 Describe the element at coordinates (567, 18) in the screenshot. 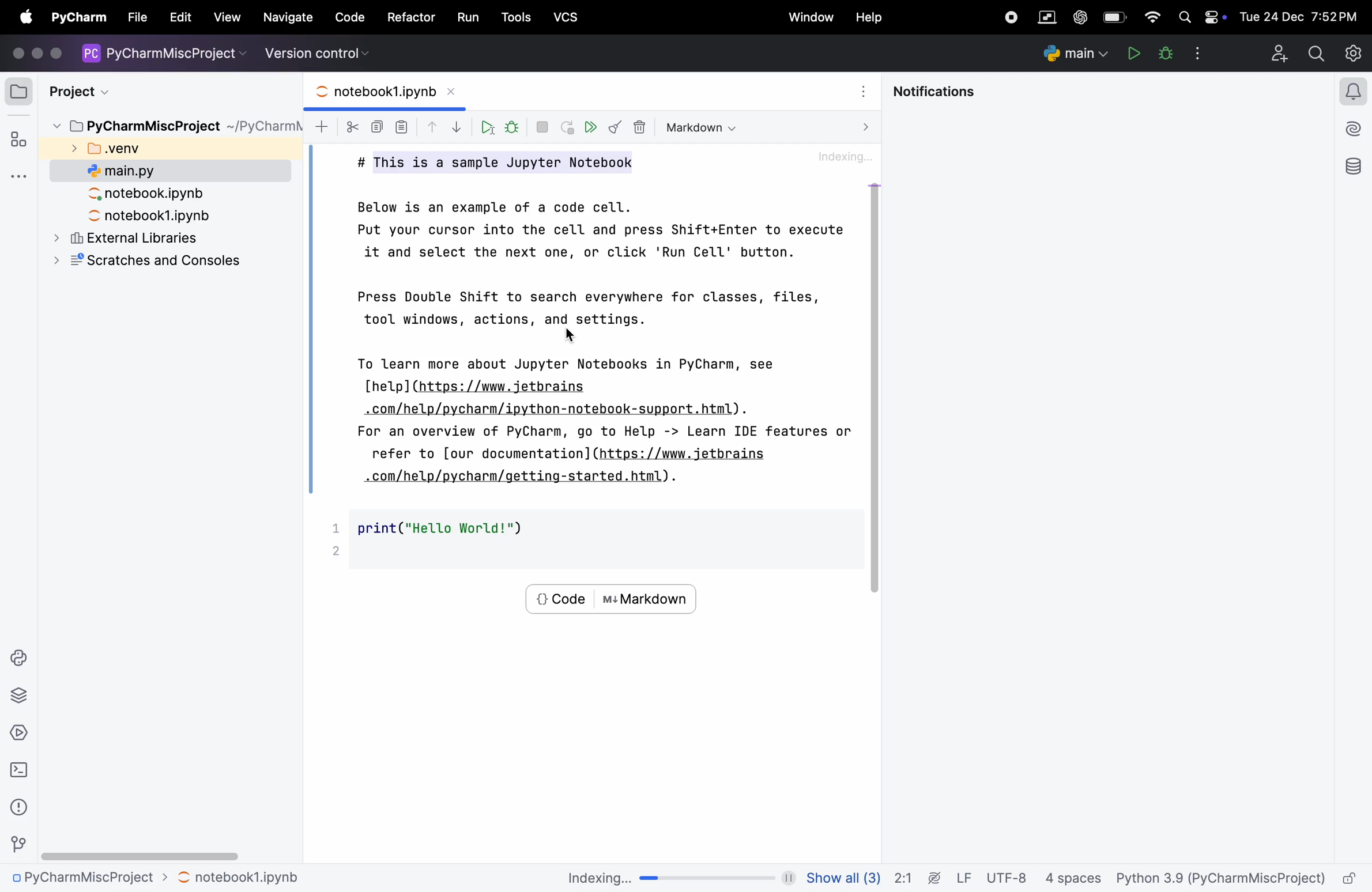

I see `vcs` at that location.